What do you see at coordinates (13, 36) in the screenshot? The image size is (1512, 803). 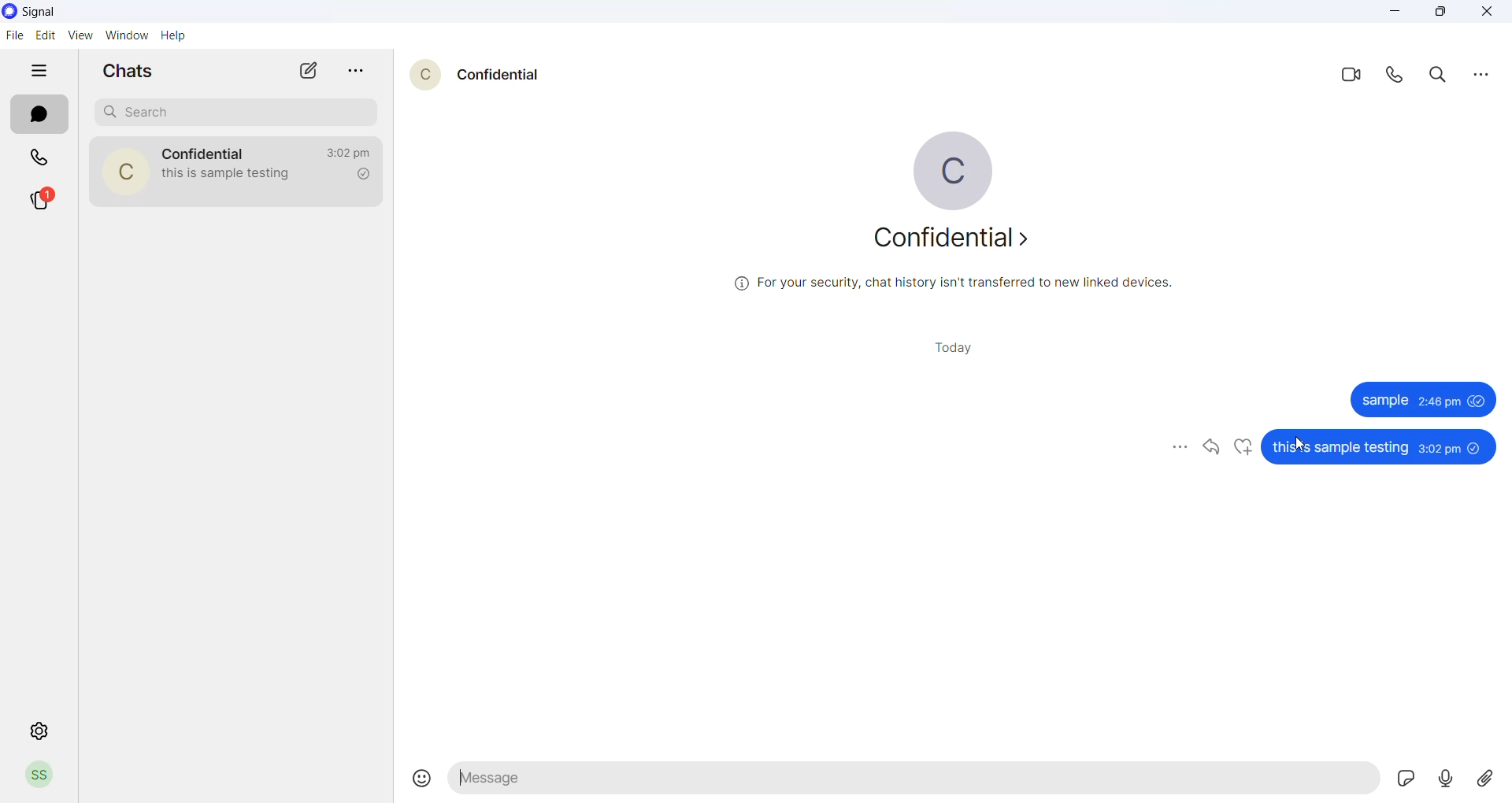 I see `file` at bounding box center [13, 36].